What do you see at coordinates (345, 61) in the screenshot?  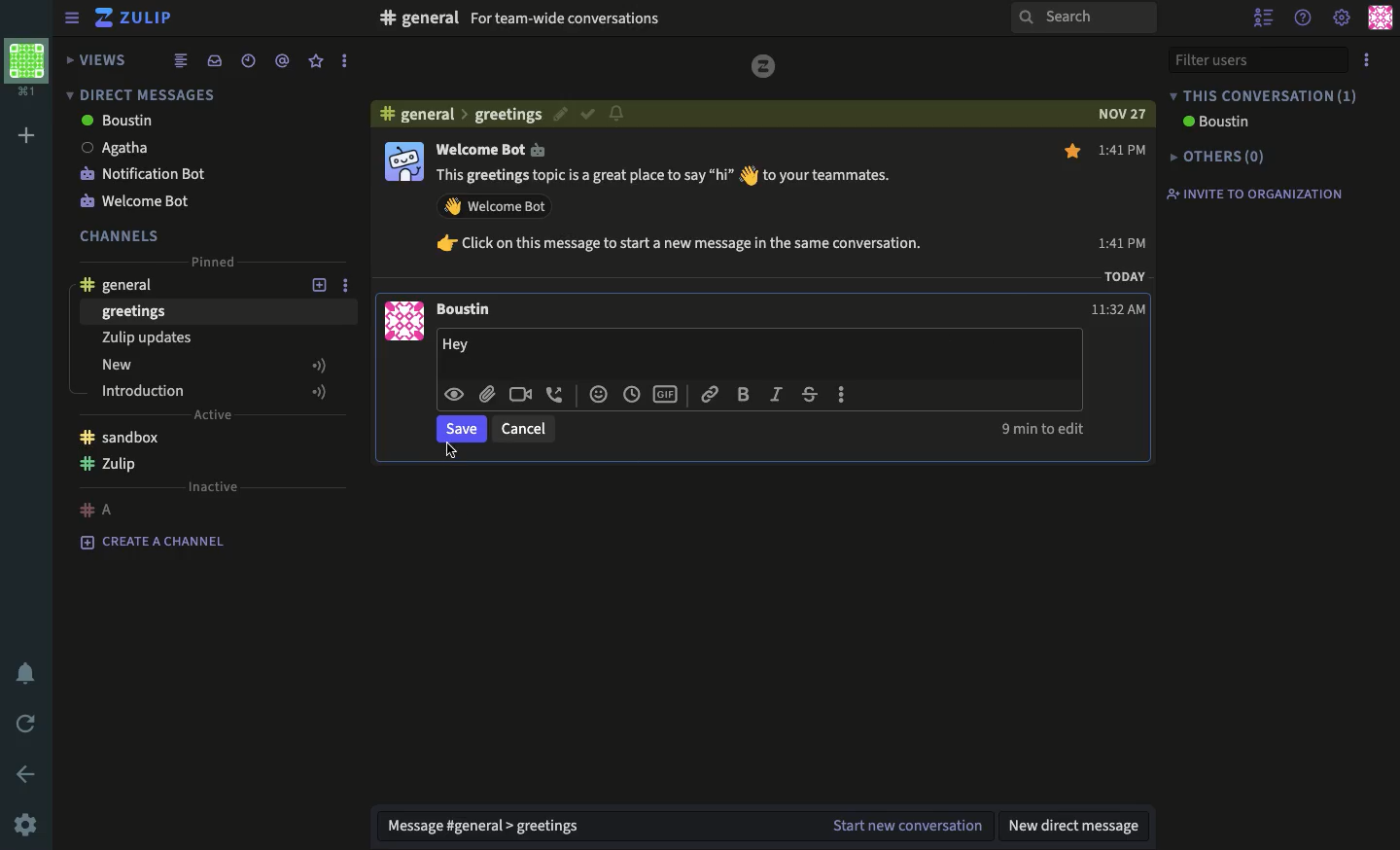 I see `options` at bounding box center [345, 61].